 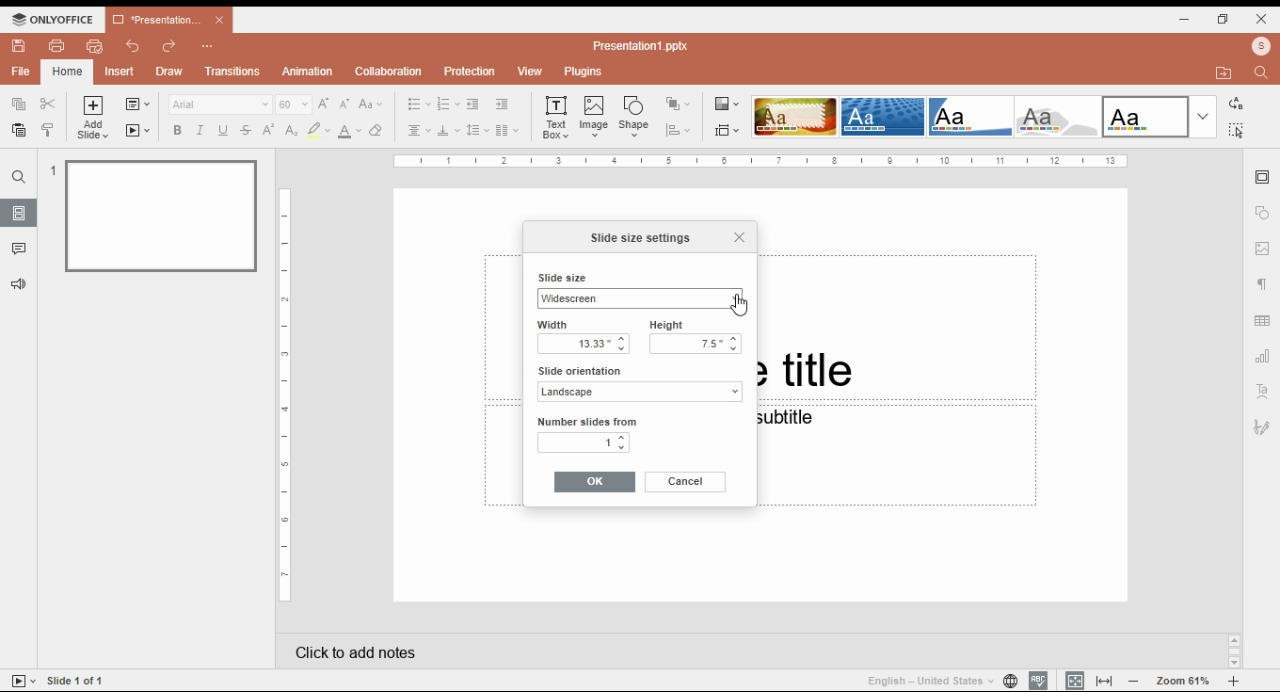 I want to click on erase, so click(x=377, y=131).